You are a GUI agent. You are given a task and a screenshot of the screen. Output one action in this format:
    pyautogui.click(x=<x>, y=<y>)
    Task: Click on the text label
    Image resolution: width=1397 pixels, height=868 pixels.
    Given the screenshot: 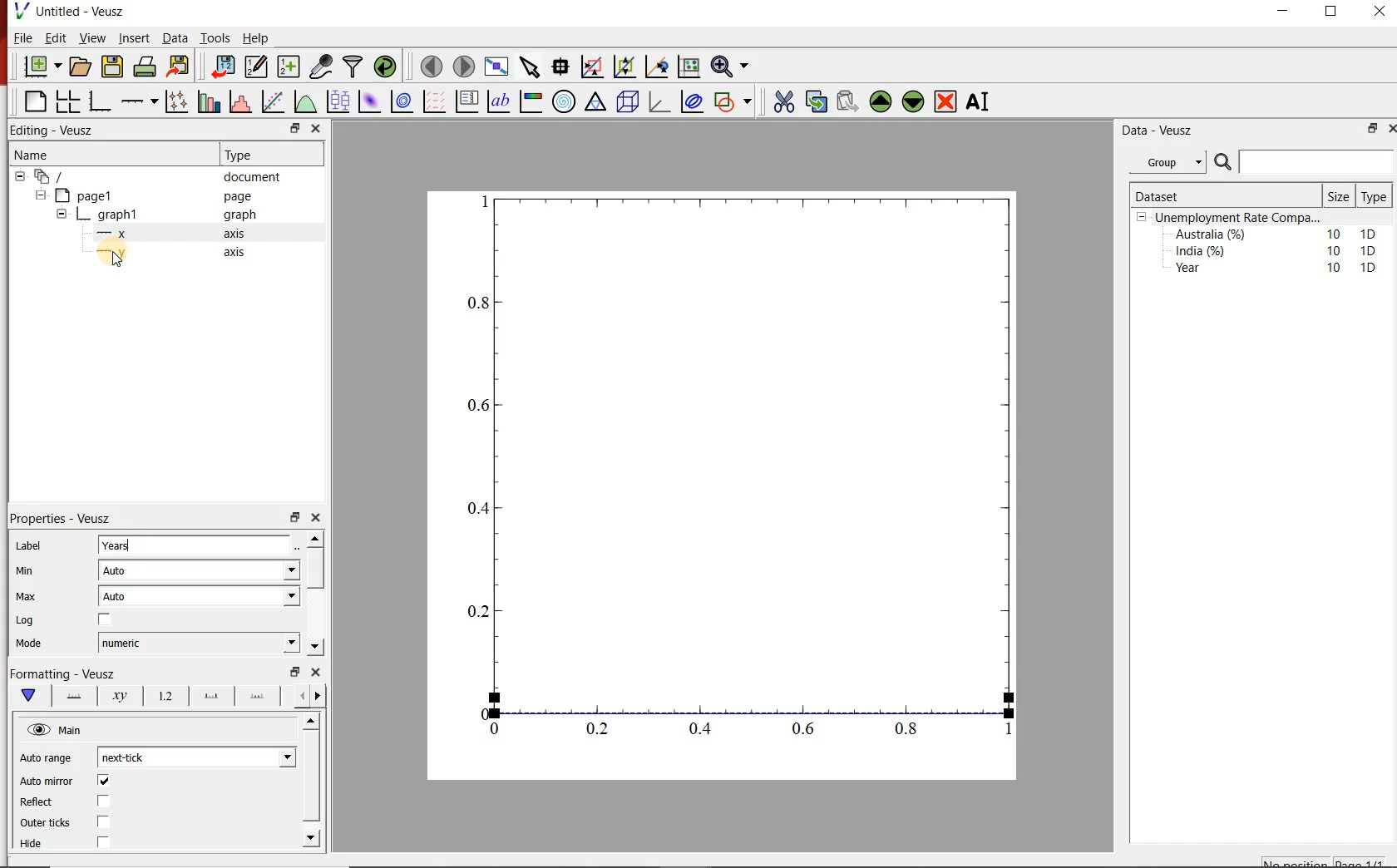 What is the action you would take?
    pyautogui.click(x=499, y=101)
    